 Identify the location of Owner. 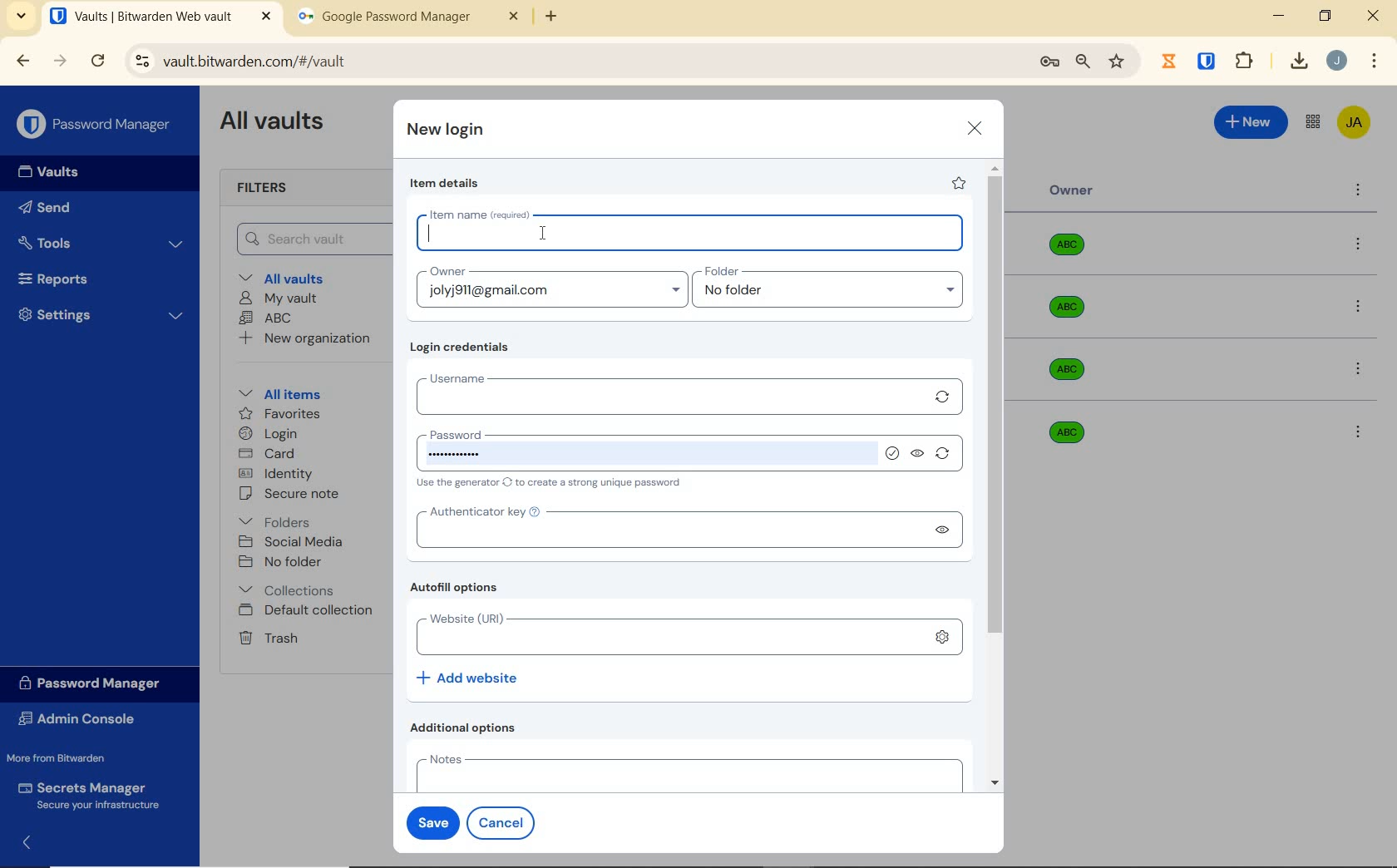
(1072, 190).